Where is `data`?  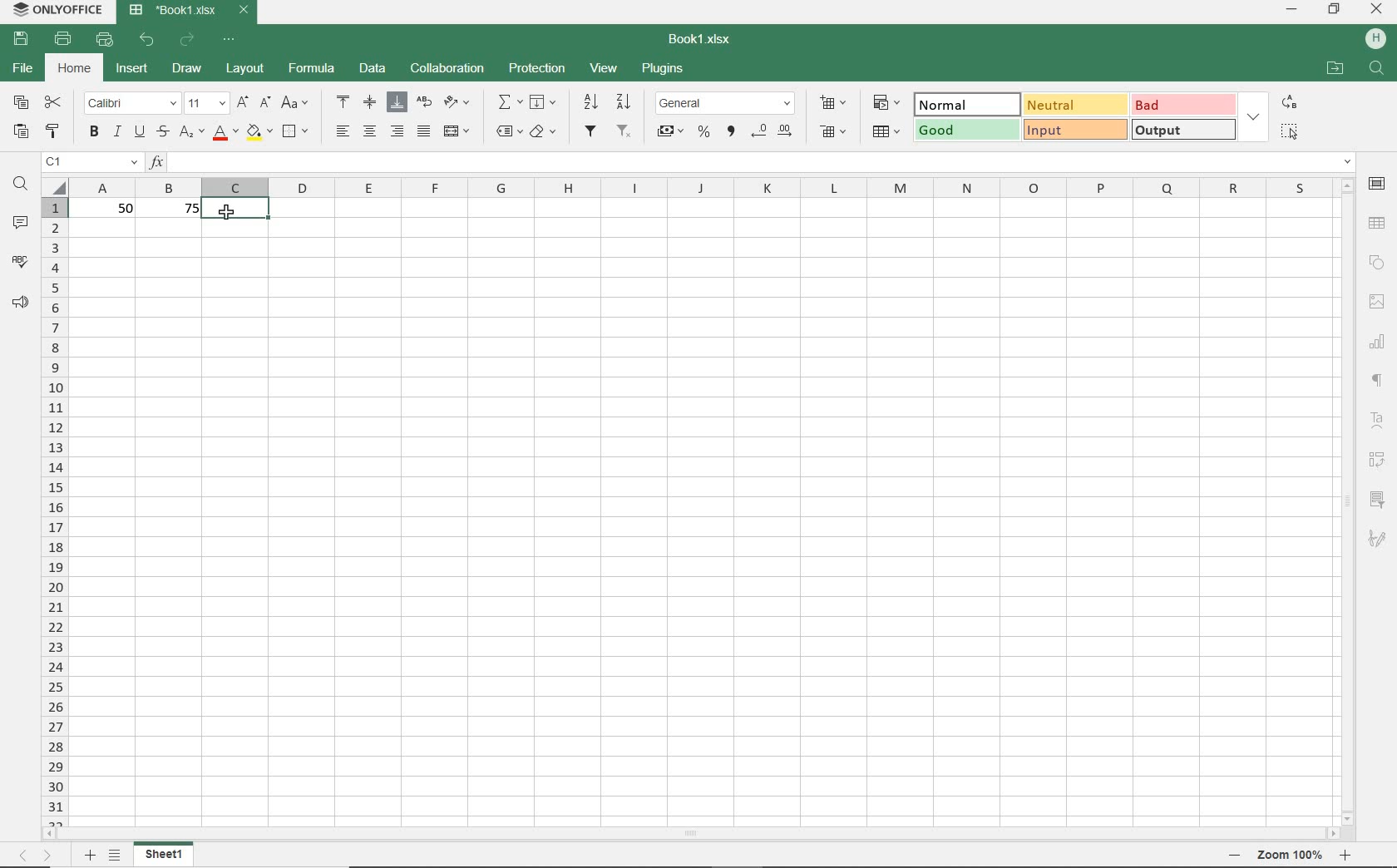
data is located at coordinates (373, 68).